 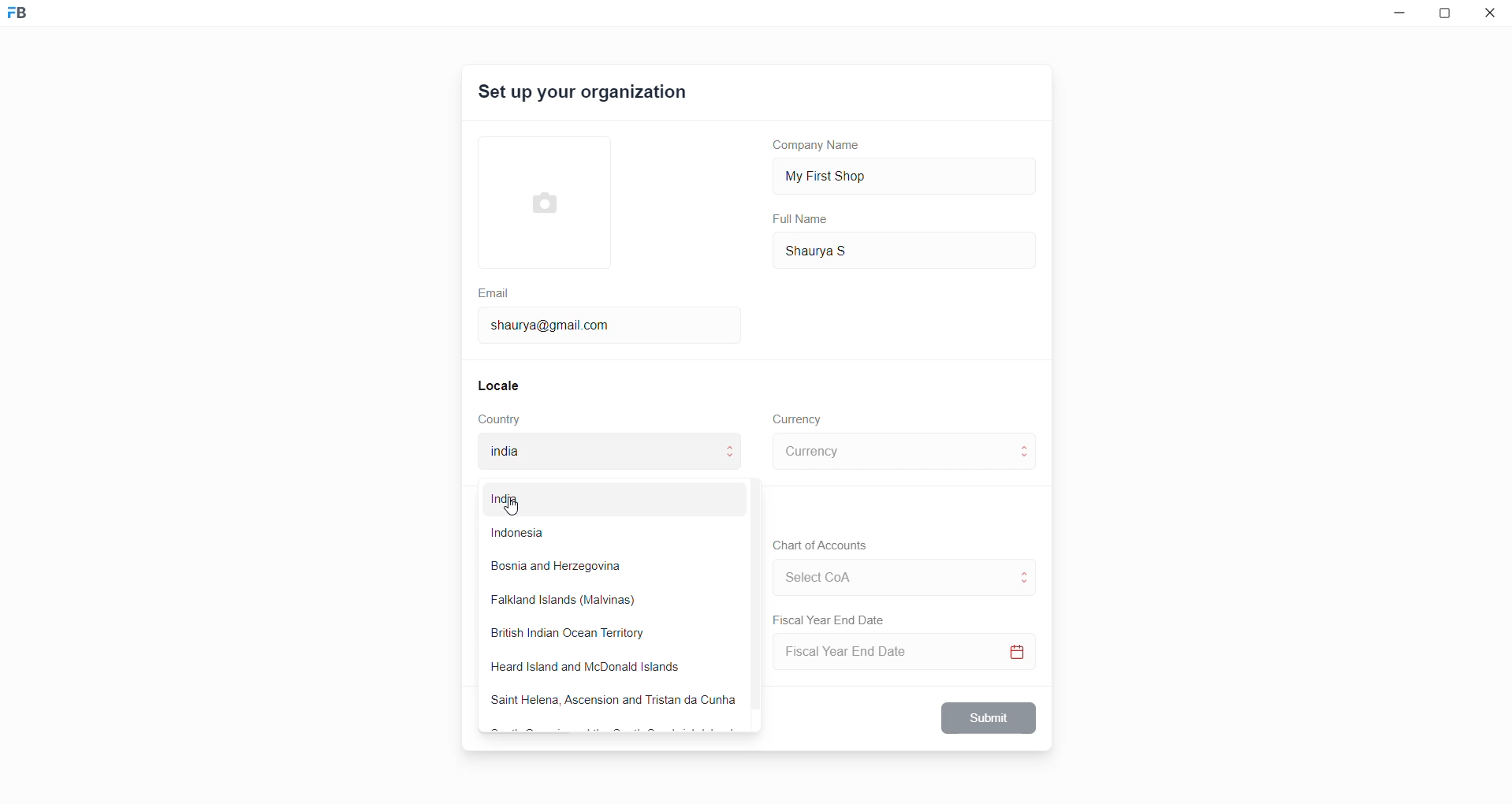 What do you see at coordinates (1028, 460) in the screenshot?
I see `move to below currency` at bounding box center [1028, 460].